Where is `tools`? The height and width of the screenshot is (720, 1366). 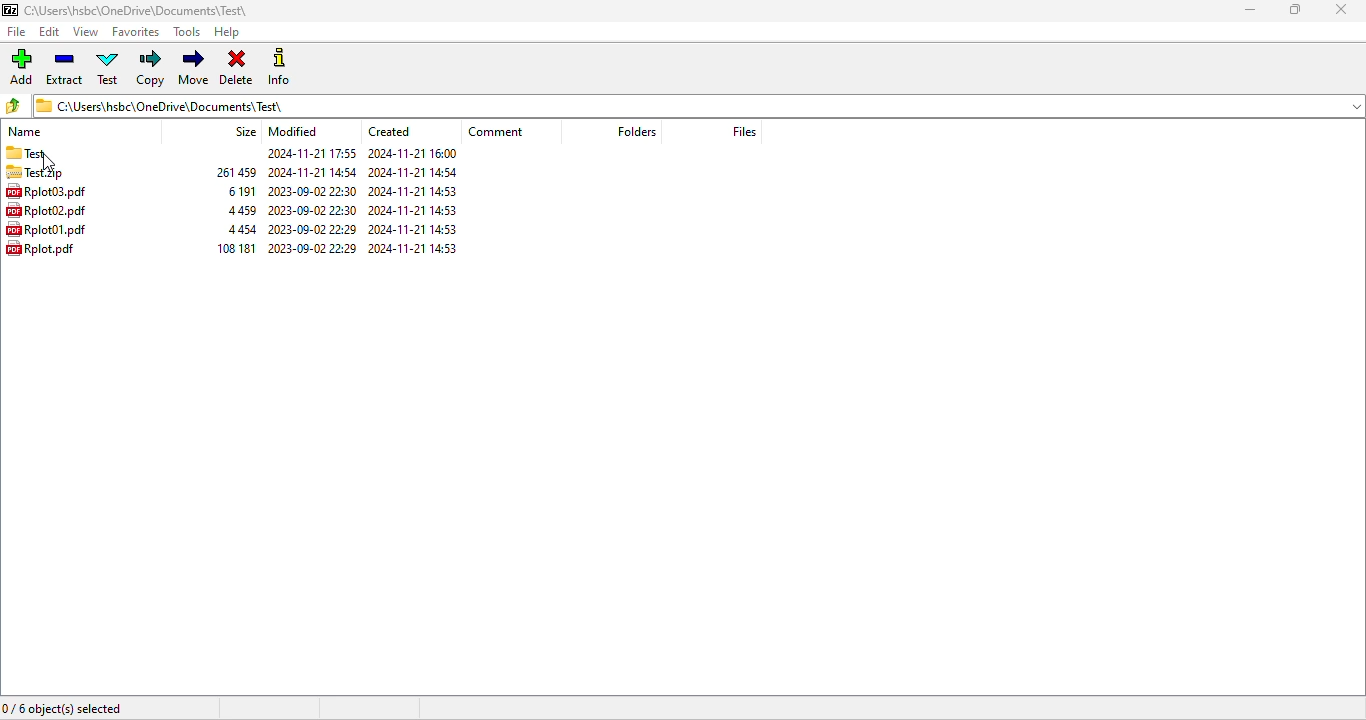
tools is located at coordinates (188, 31).